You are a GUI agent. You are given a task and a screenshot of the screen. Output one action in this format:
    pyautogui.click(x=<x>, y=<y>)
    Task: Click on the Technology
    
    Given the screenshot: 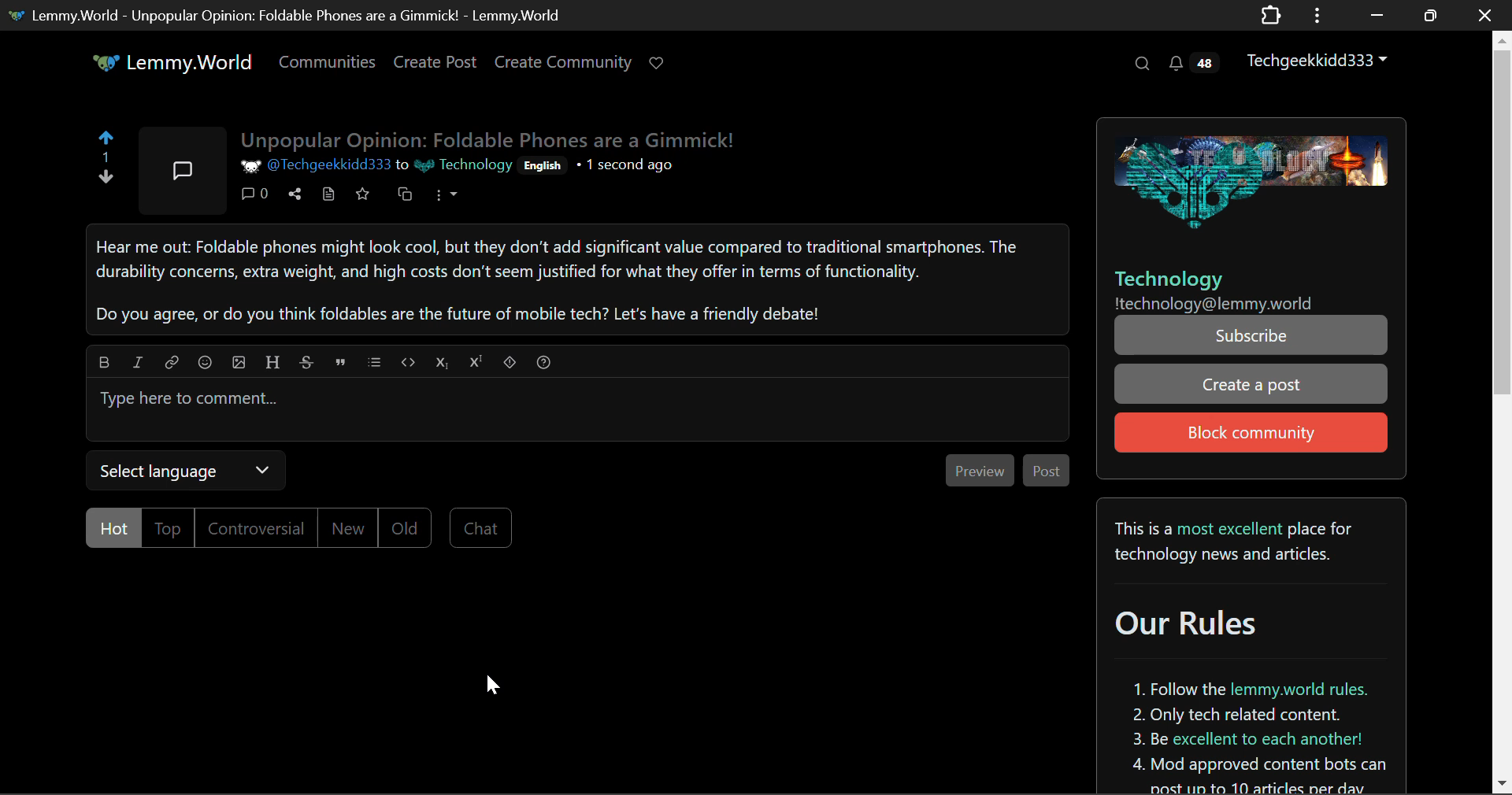 What is the action you would take?
    pyautogui.click(x=1186, y=278)
    